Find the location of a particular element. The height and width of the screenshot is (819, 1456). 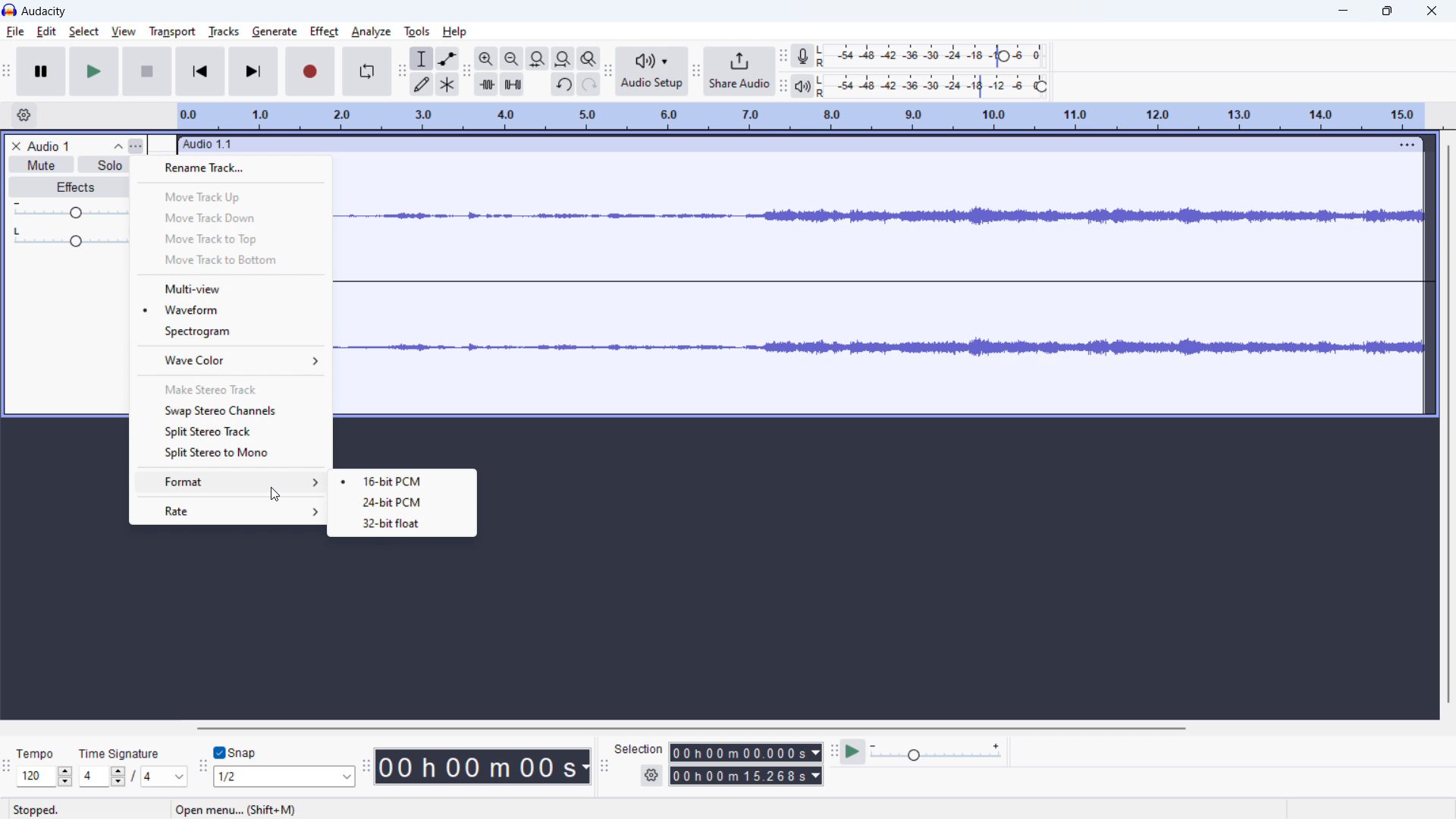

set tempo is located at coordinates (45, 777).